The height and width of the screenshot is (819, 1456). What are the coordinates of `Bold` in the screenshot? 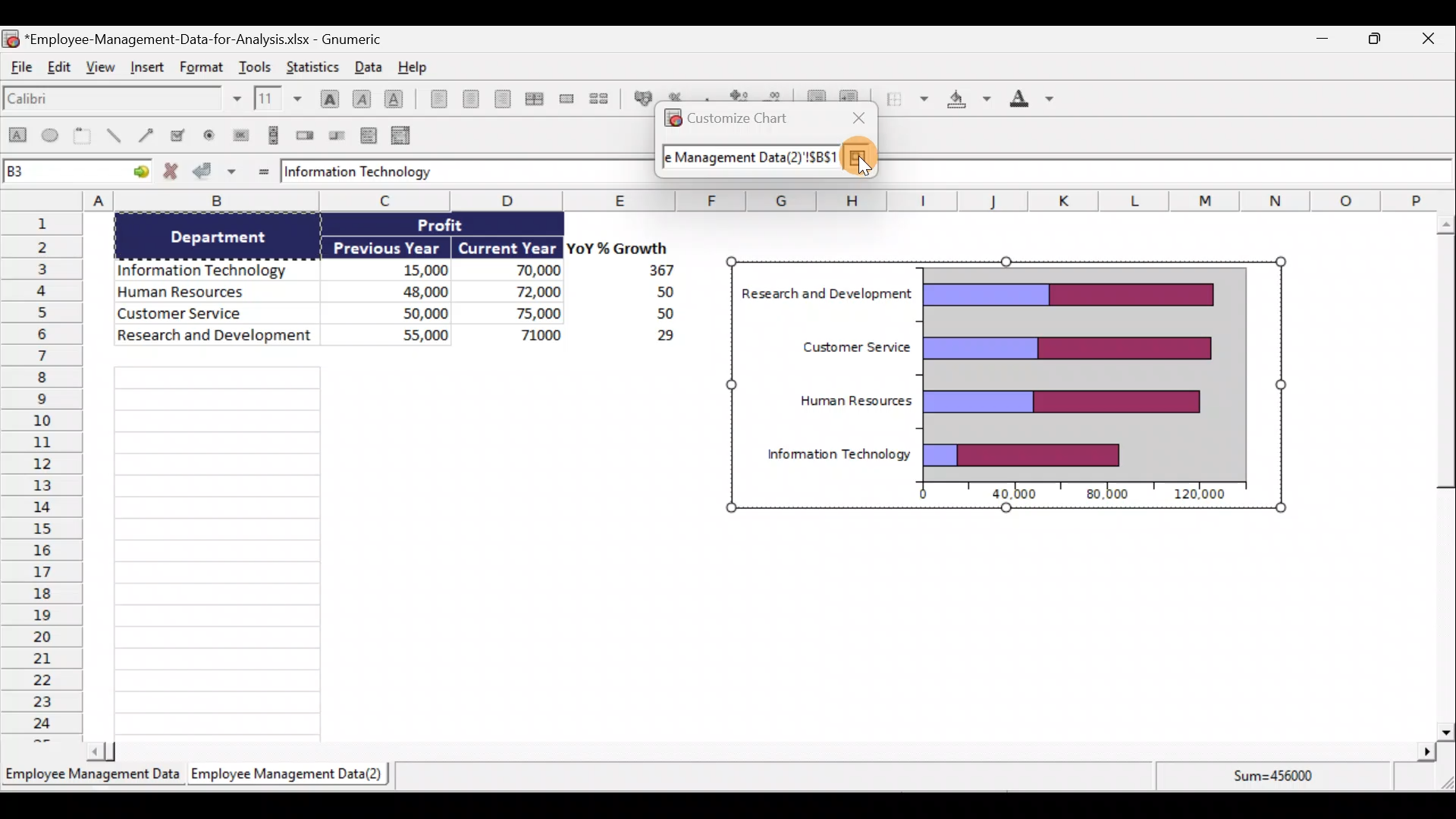 It's located at (328, 98).